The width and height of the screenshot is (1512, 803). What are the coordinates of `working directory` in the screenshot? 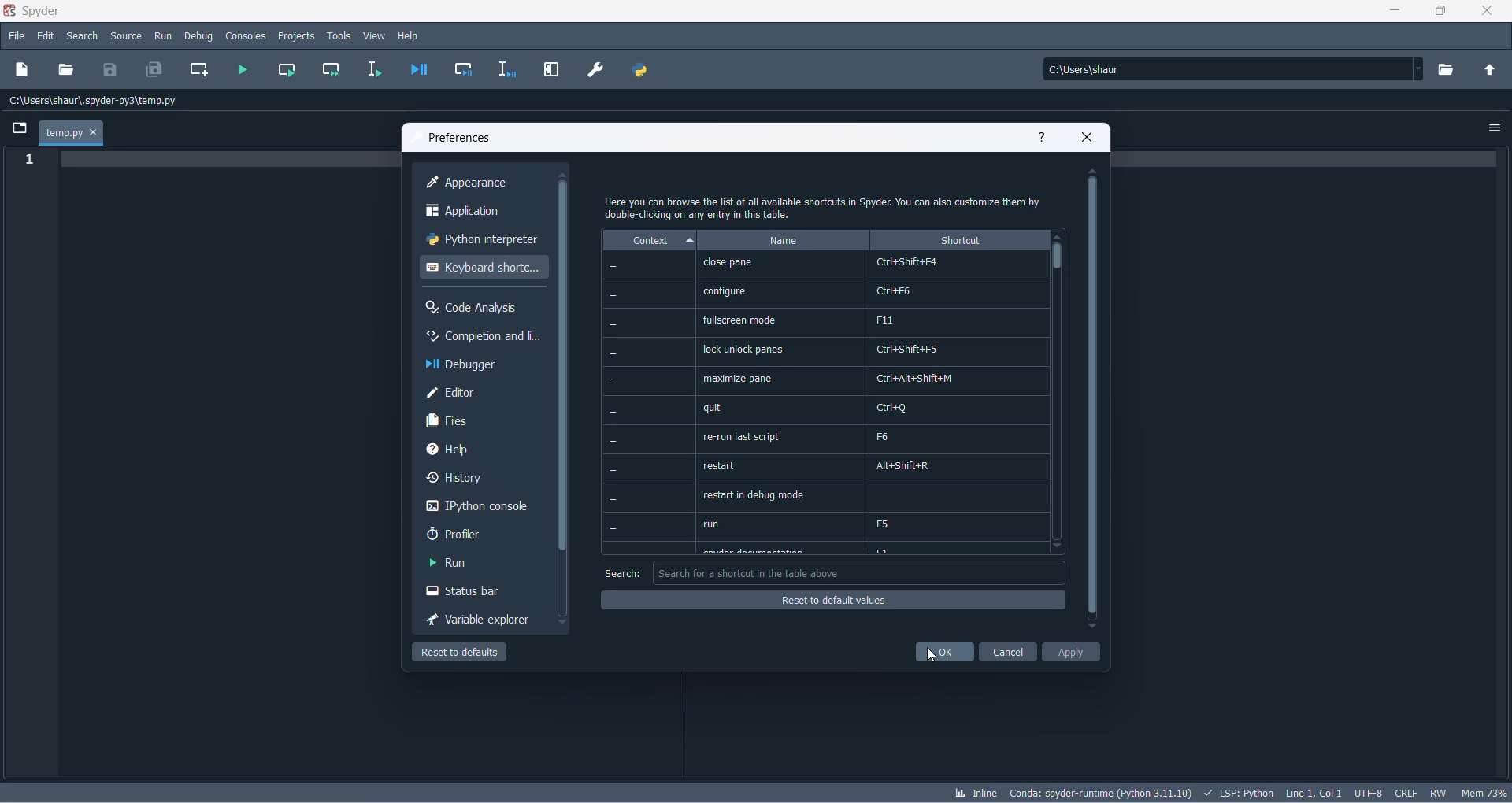 It's located at (1450, 71).